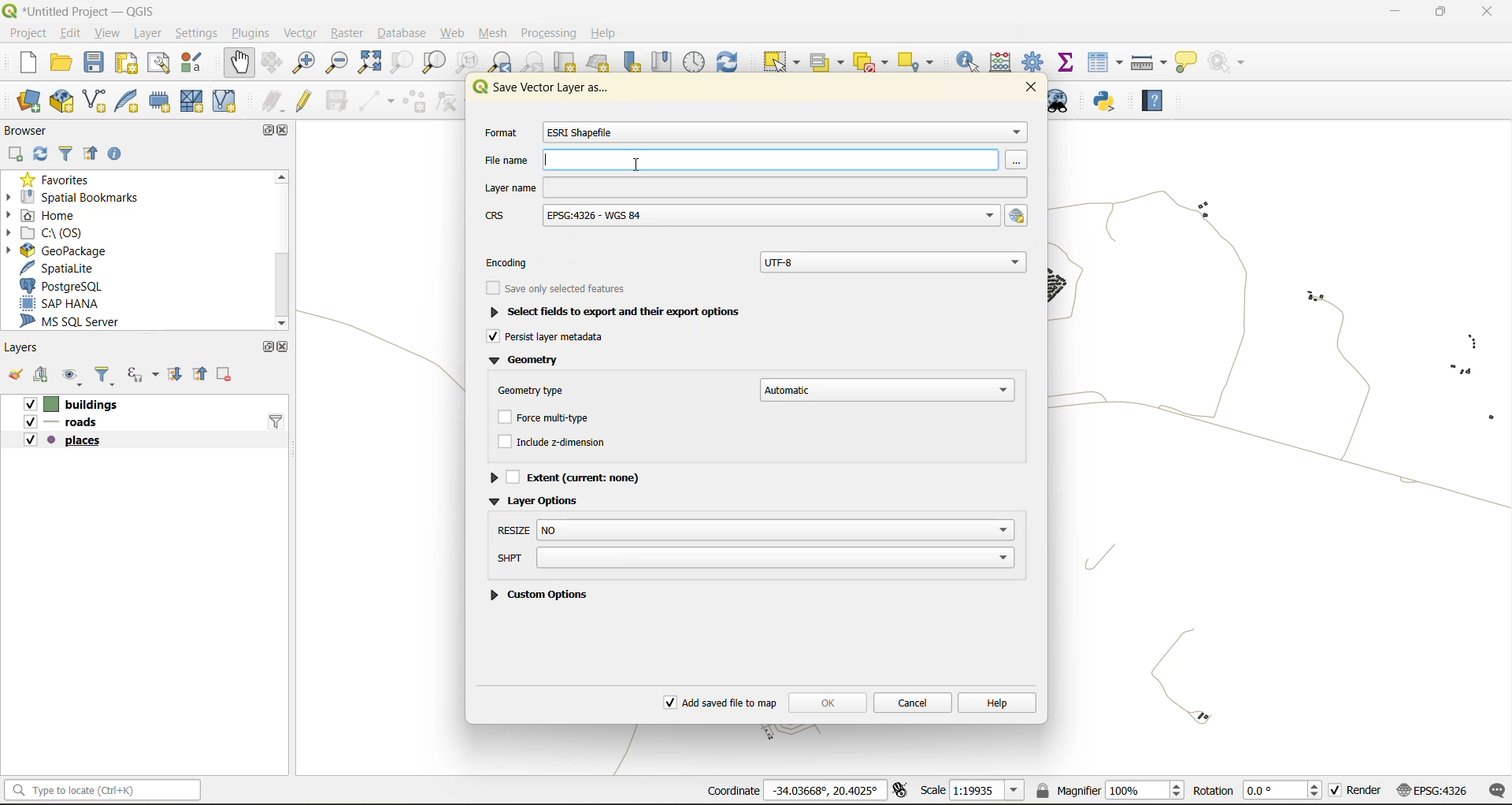 Image resolution: width=1512 pixels, height=805 pixels. Describe the element at coordinates (128, 99) in the screenshot. I see `new spatialite` at that location.